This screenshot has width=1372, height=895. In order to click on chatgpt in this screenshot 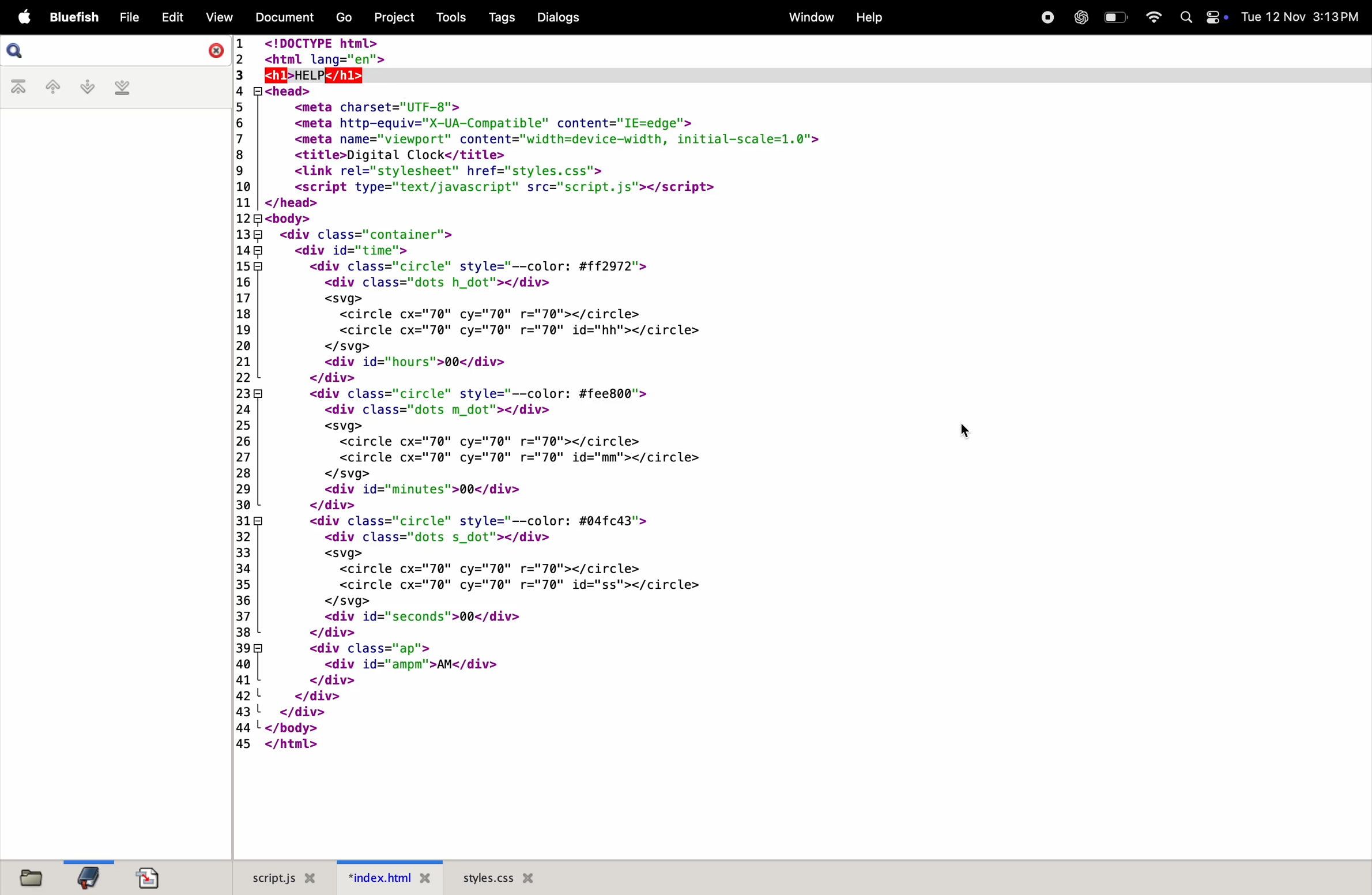, I will do `click(1080, 17)`.